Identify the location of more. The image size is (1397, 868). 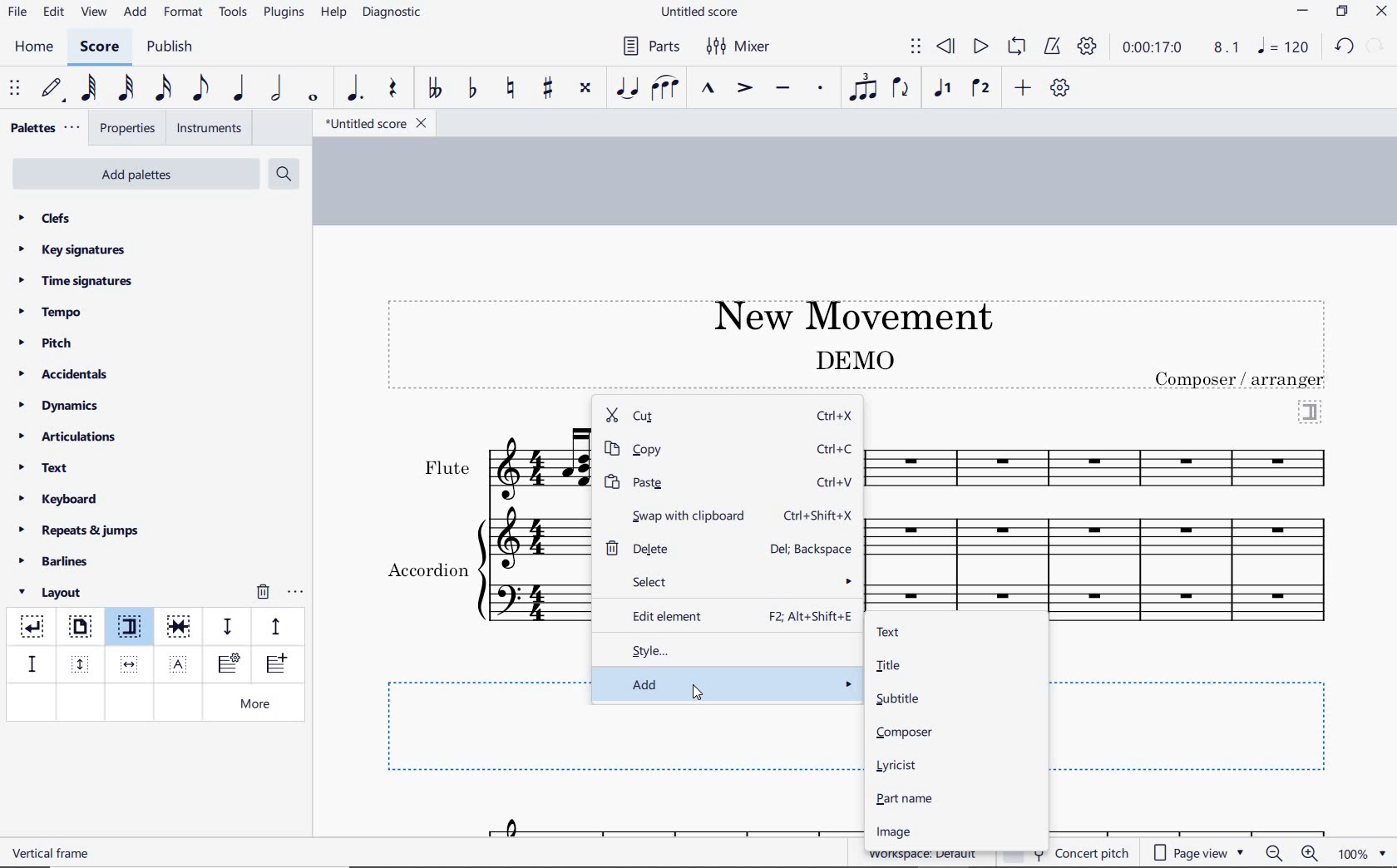
(259, 705).